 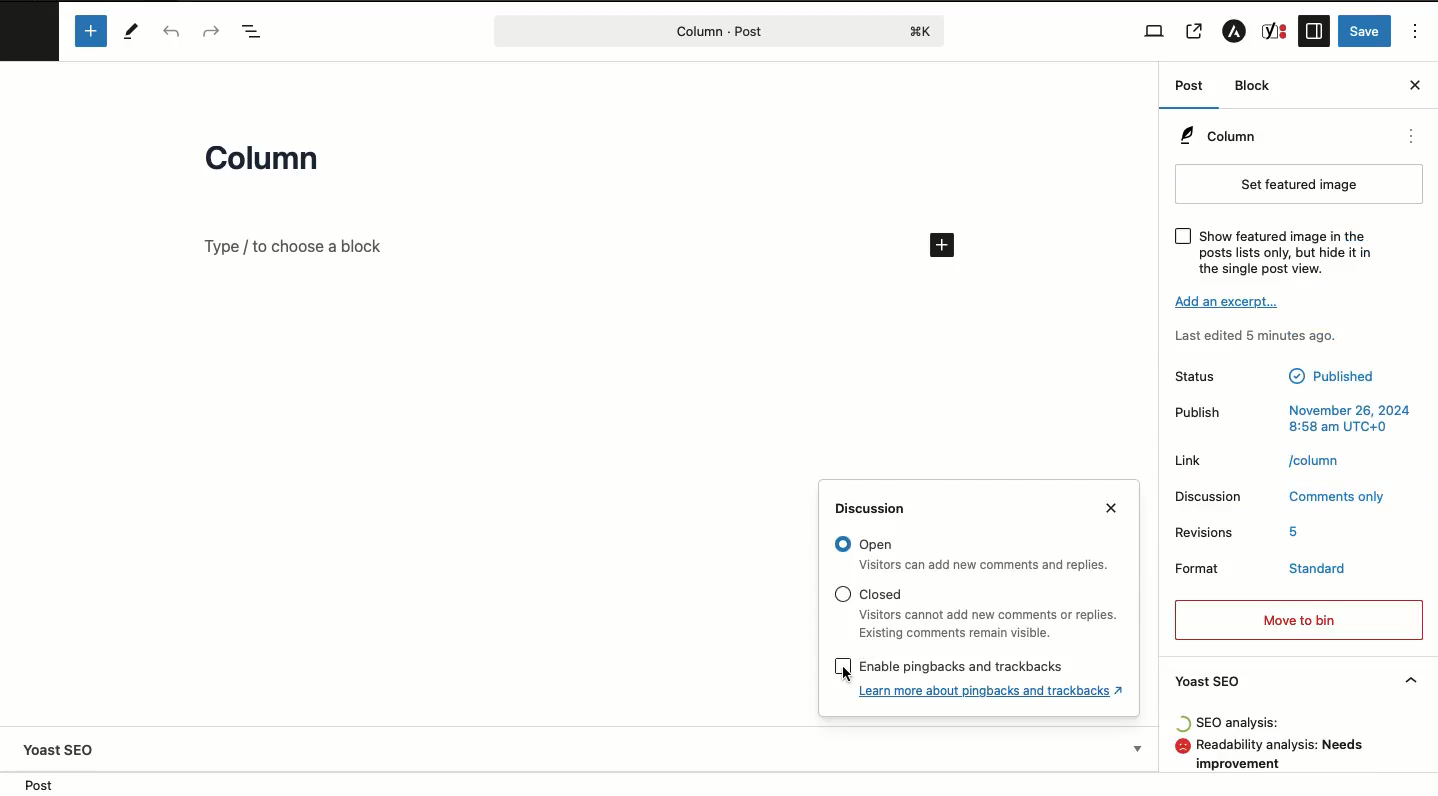 What do you see at coordinates (1192, 460) in the screenshot?
I see `Link` at bounding box center [1192, 460].